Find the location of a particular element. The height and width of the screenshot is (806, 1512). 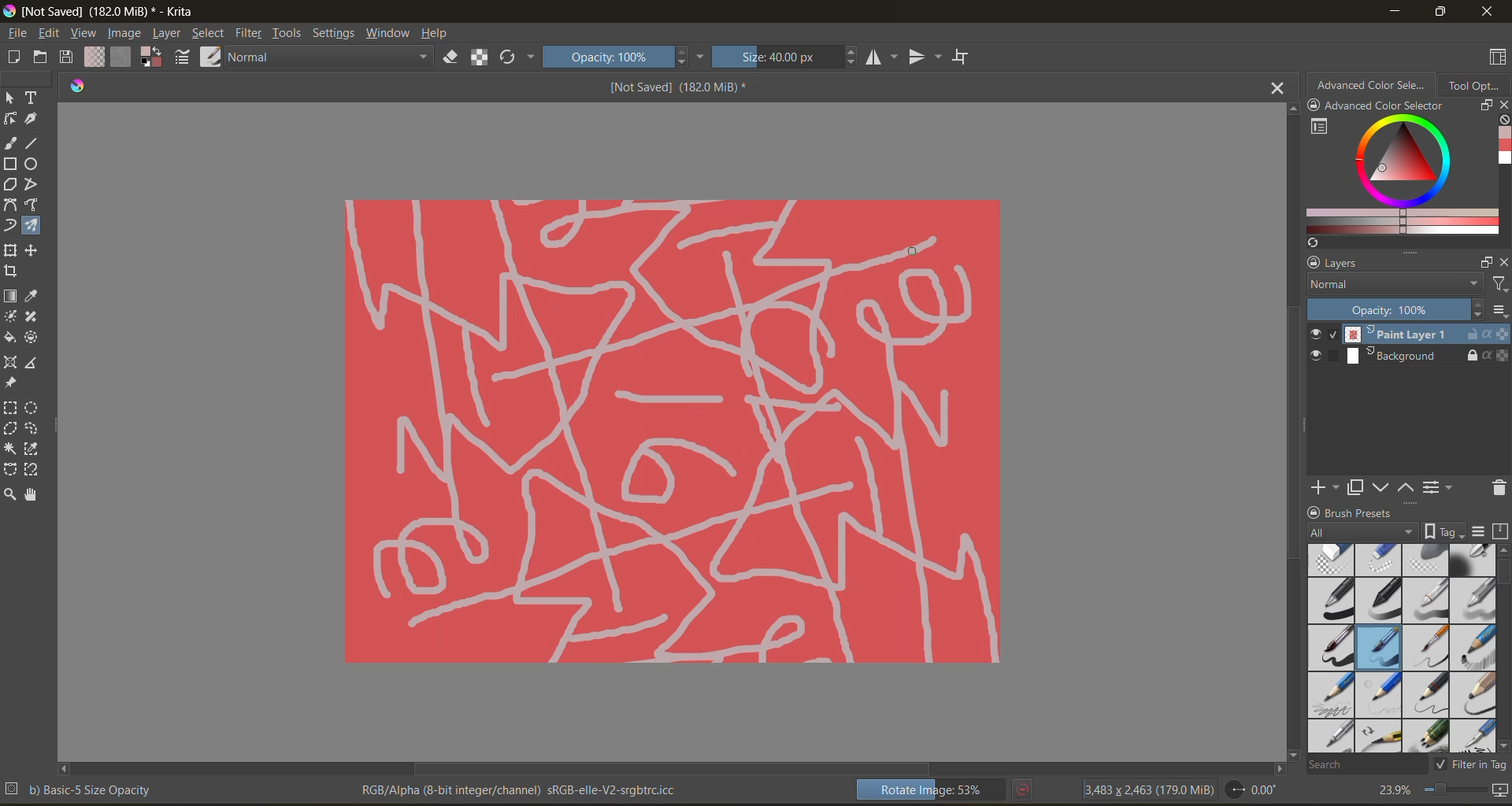

opacity is located at coordinates (1392, 309).